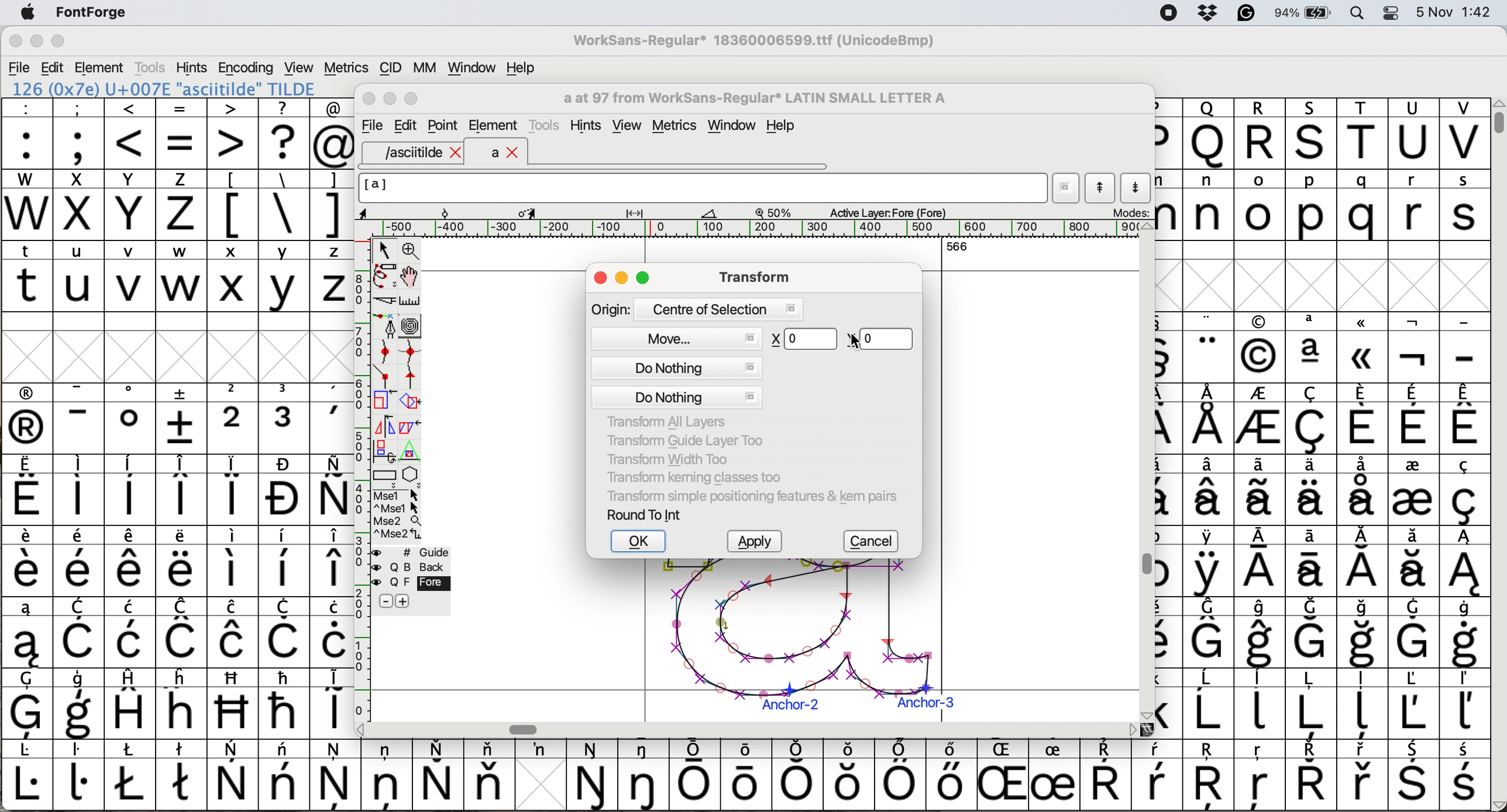  Describe the element at coordinates (20, 68) in the screenshot. I see `file` at that location.